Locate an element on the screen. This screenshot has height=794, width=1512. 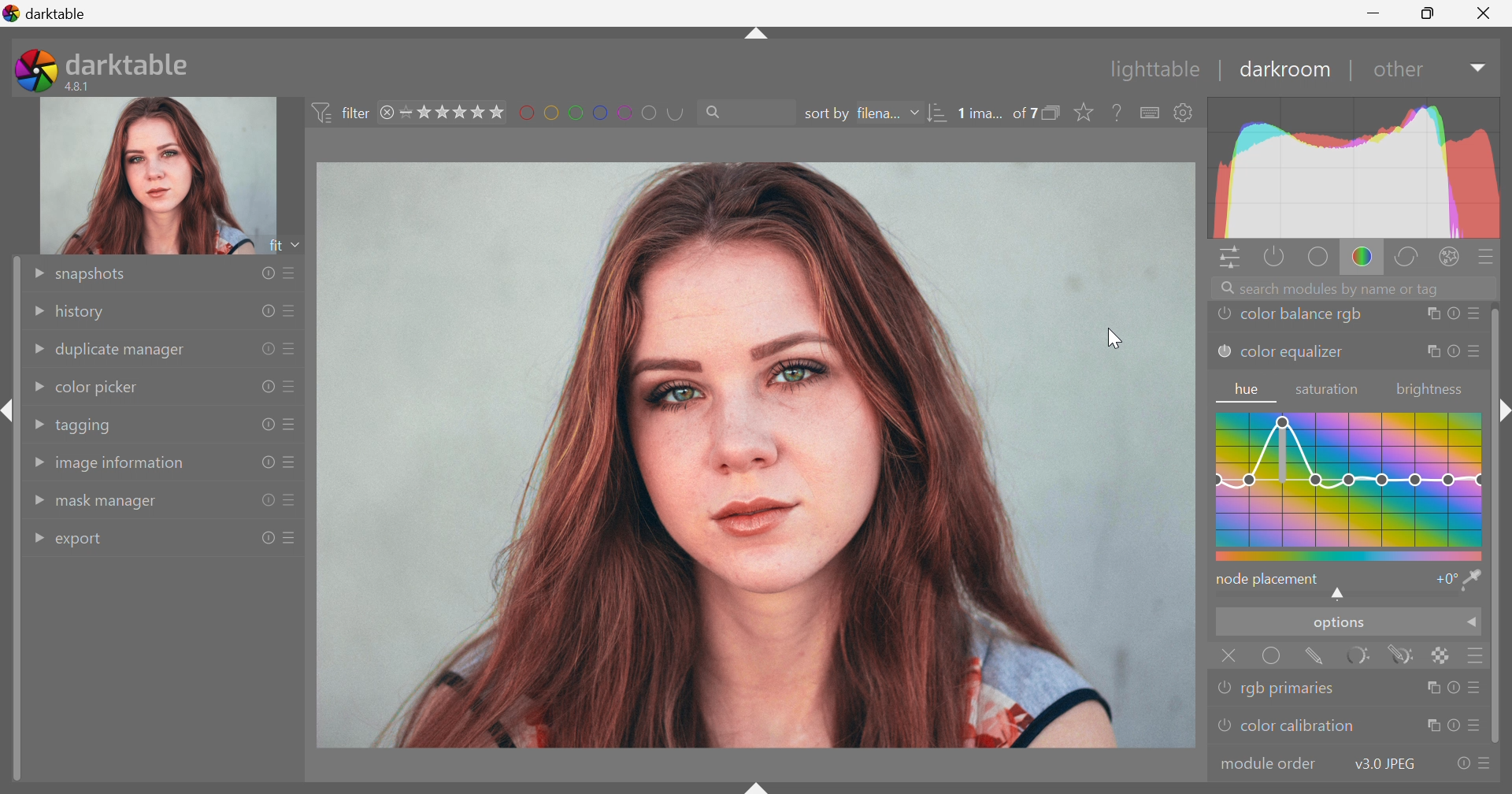
node placement is located at coordinates (1269, 579).